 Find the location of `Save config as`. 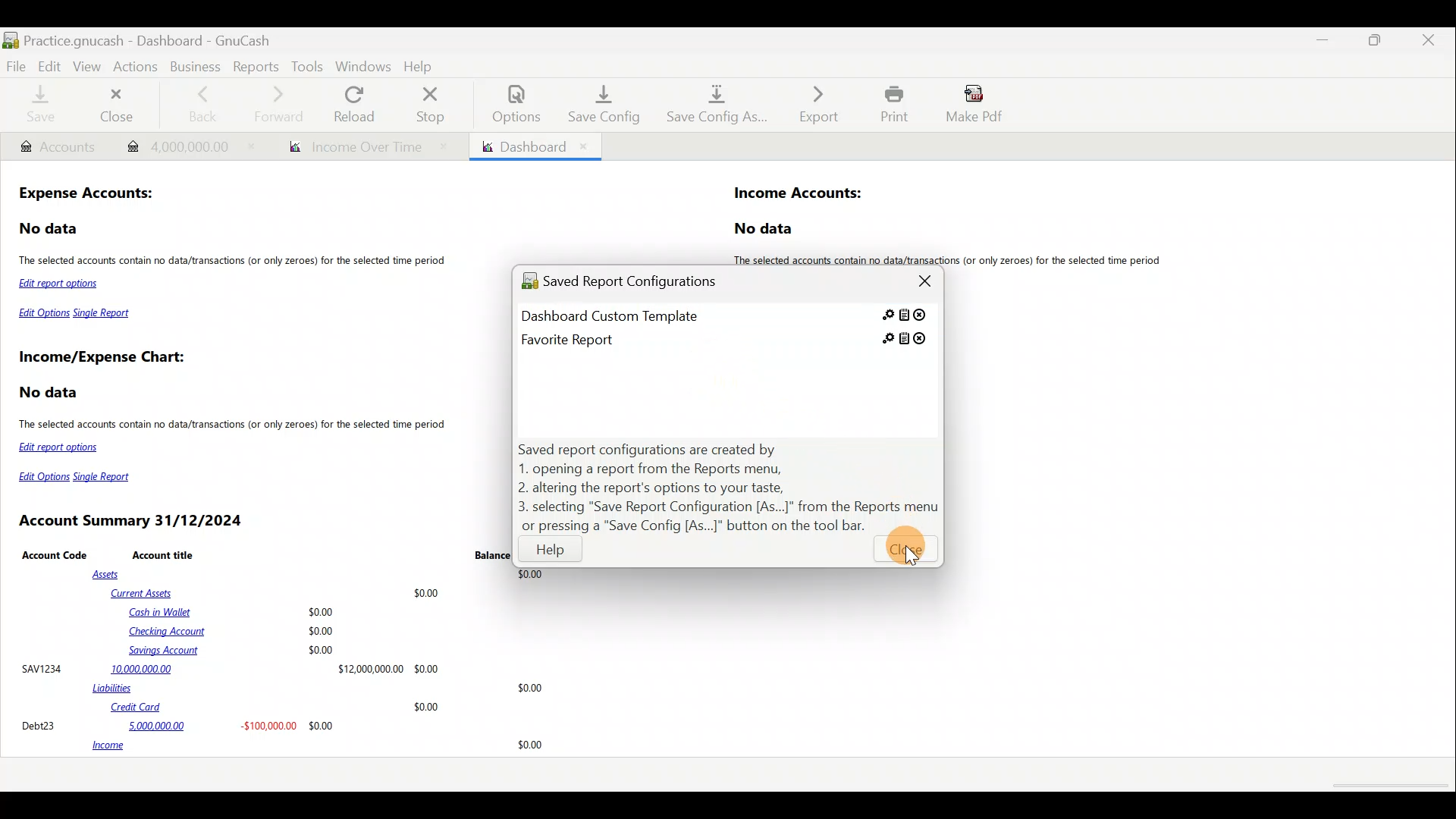

Save config as is located at coordinates (712, 105).